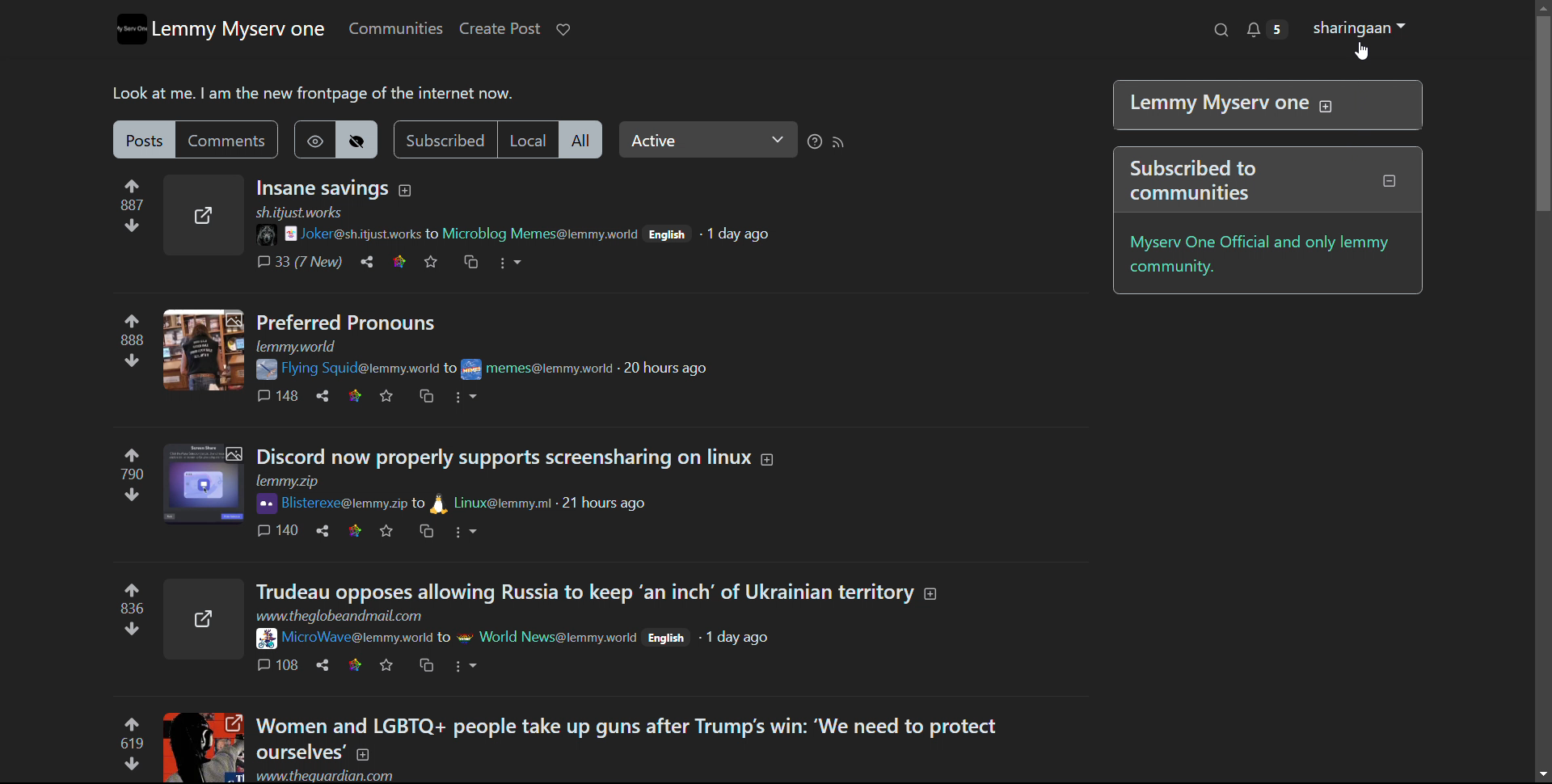 This screenshot has width=1552, height=784. I want to click on comments 108, so click(277, 666).